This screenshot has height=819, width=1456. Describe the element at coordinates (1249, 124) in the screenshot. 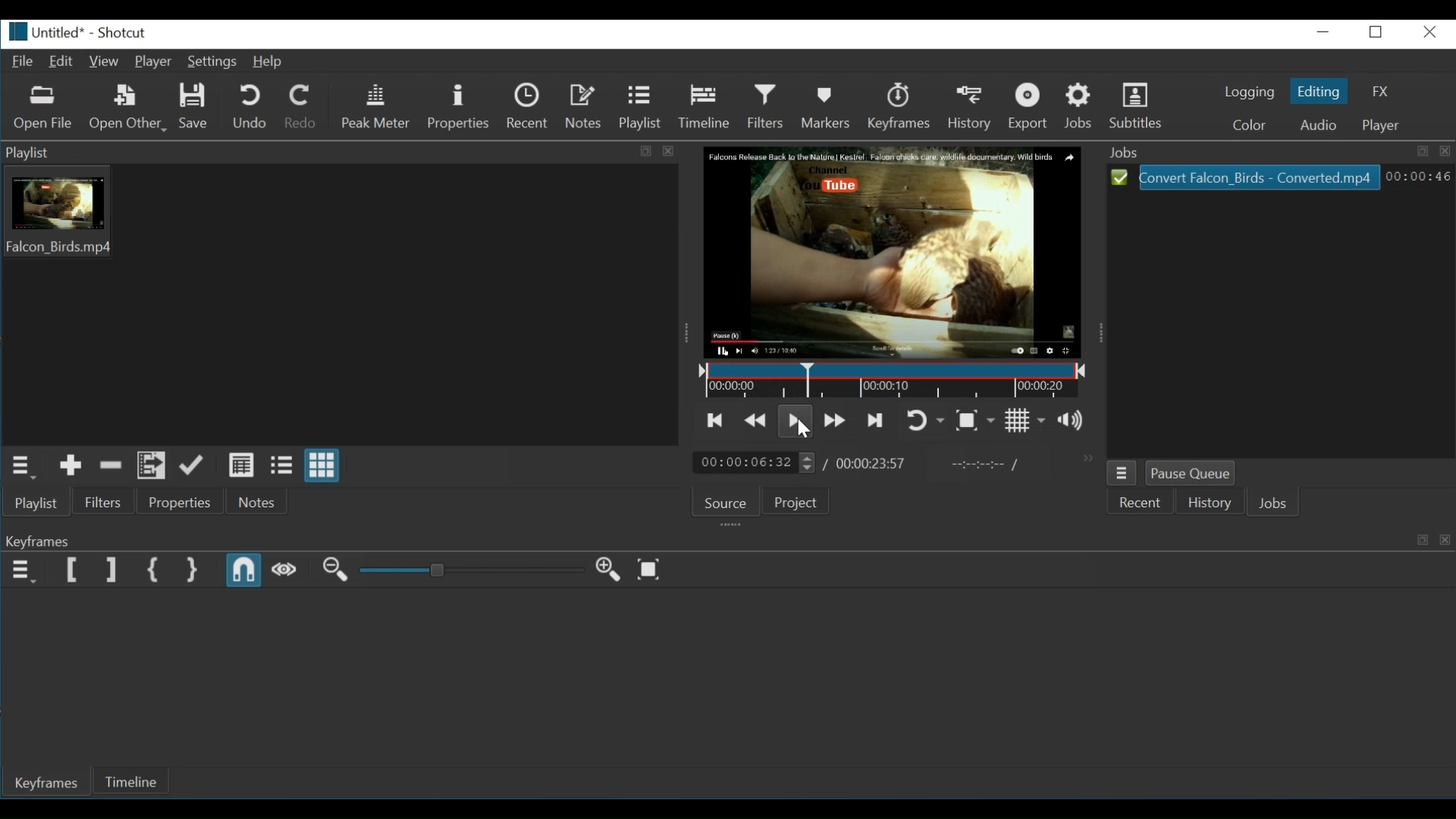

I see `Color` at that location.